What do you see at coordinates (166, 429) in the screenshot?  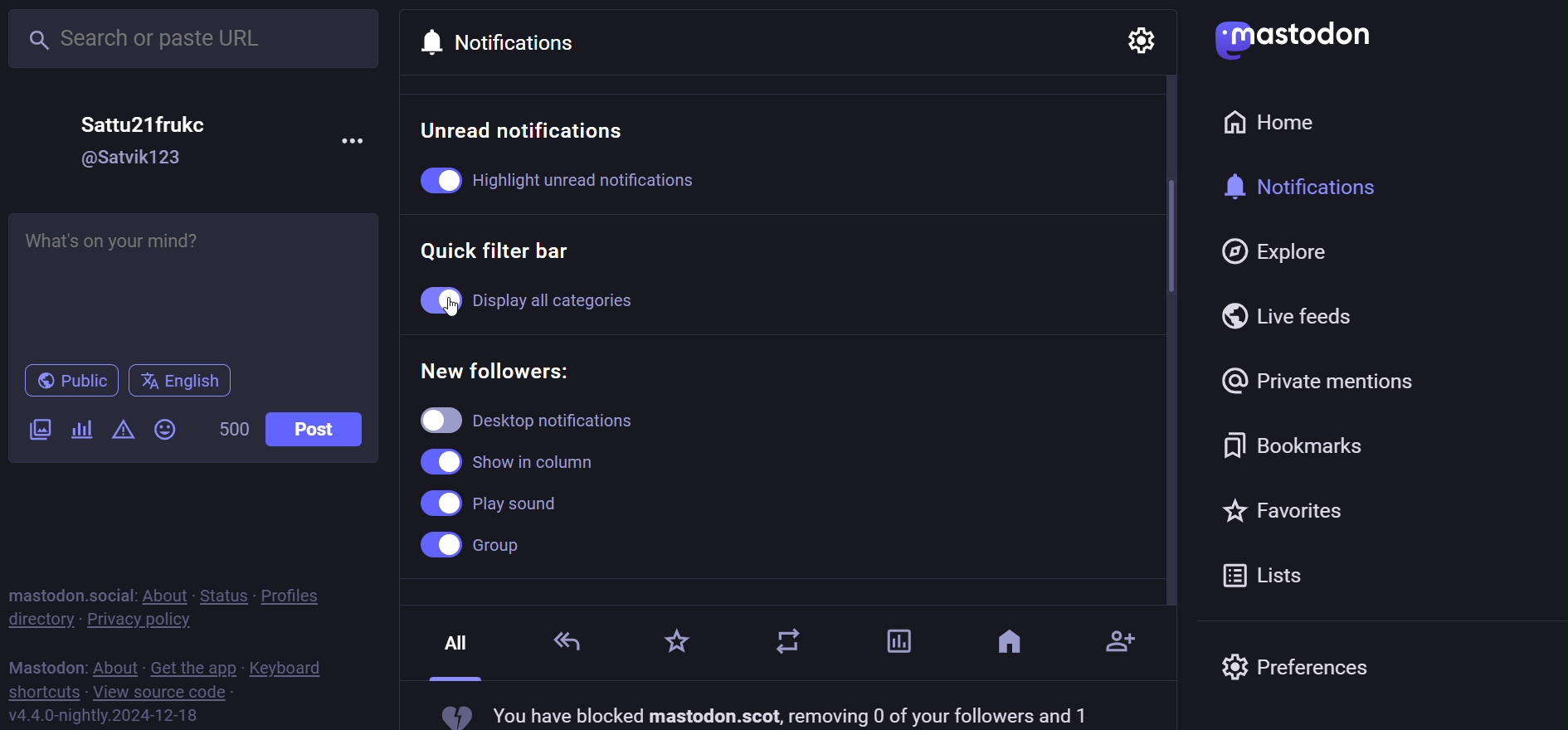 I see `emoji` at bounding box center [166, 429].